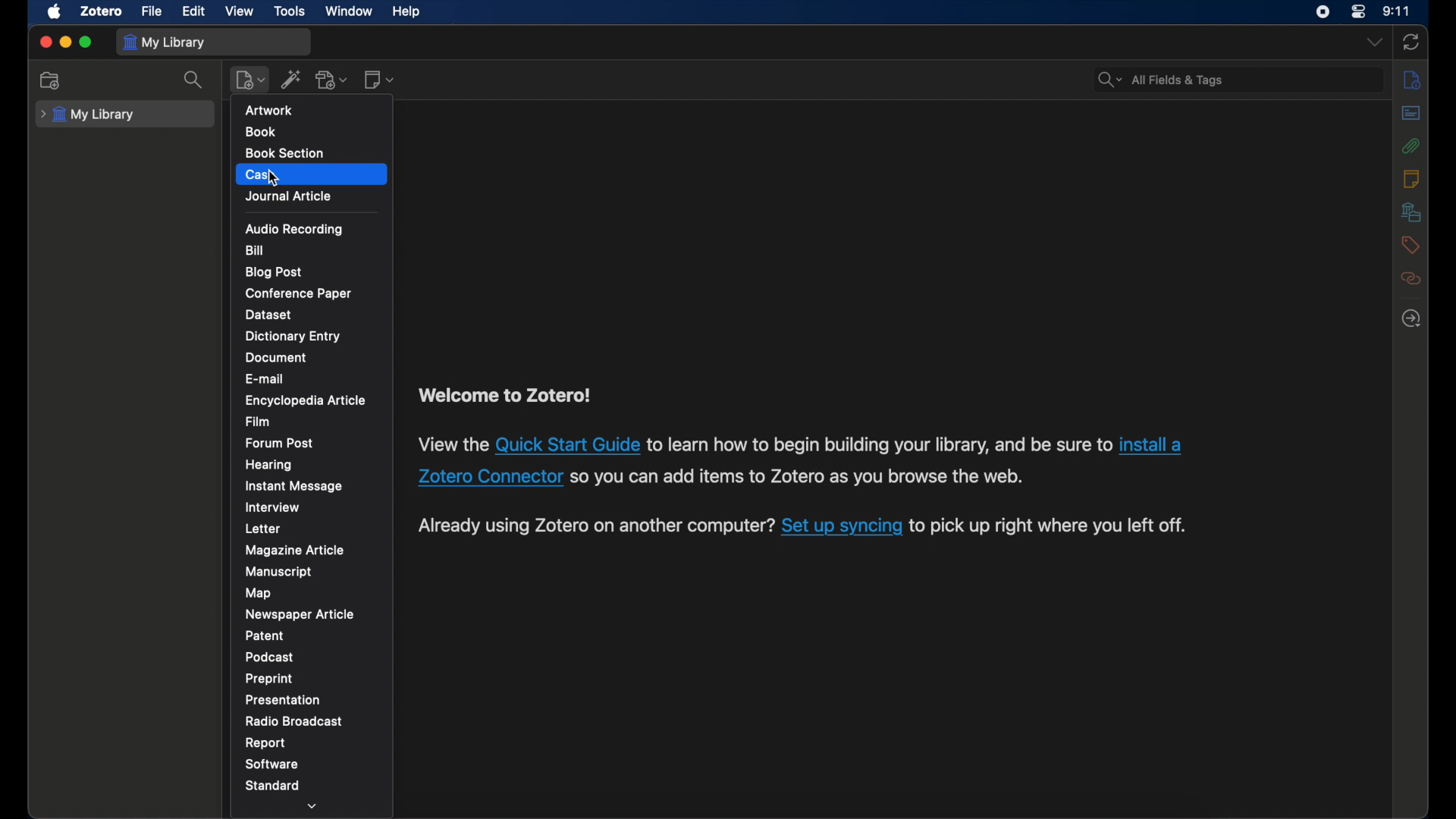  What do you see at coordinates (265, 743) in the screenshot?
I see `report` at bounding box center [265, 743].